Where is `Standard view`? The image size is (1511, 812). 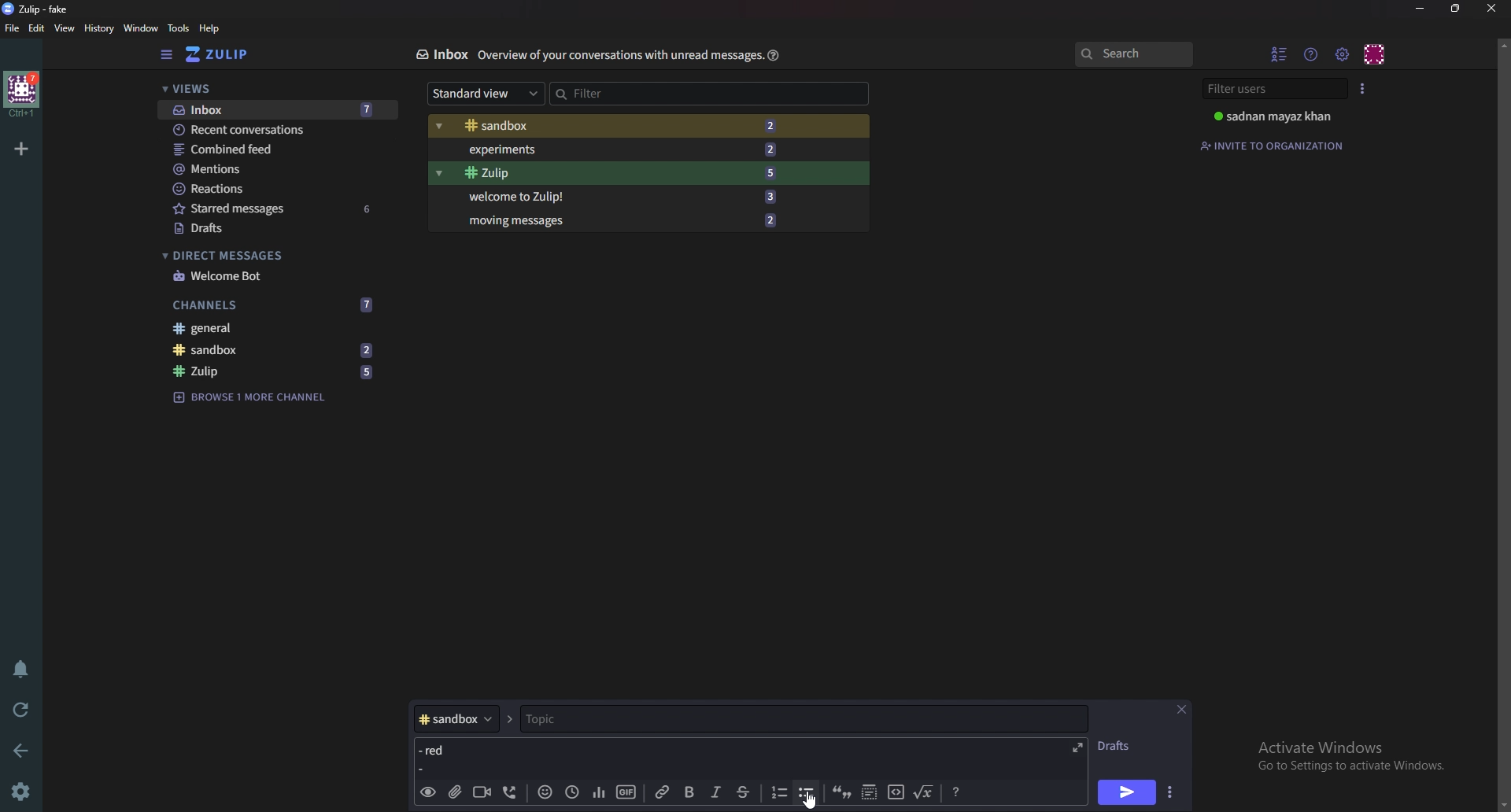
Standard view is located at coordinates (486, 92).